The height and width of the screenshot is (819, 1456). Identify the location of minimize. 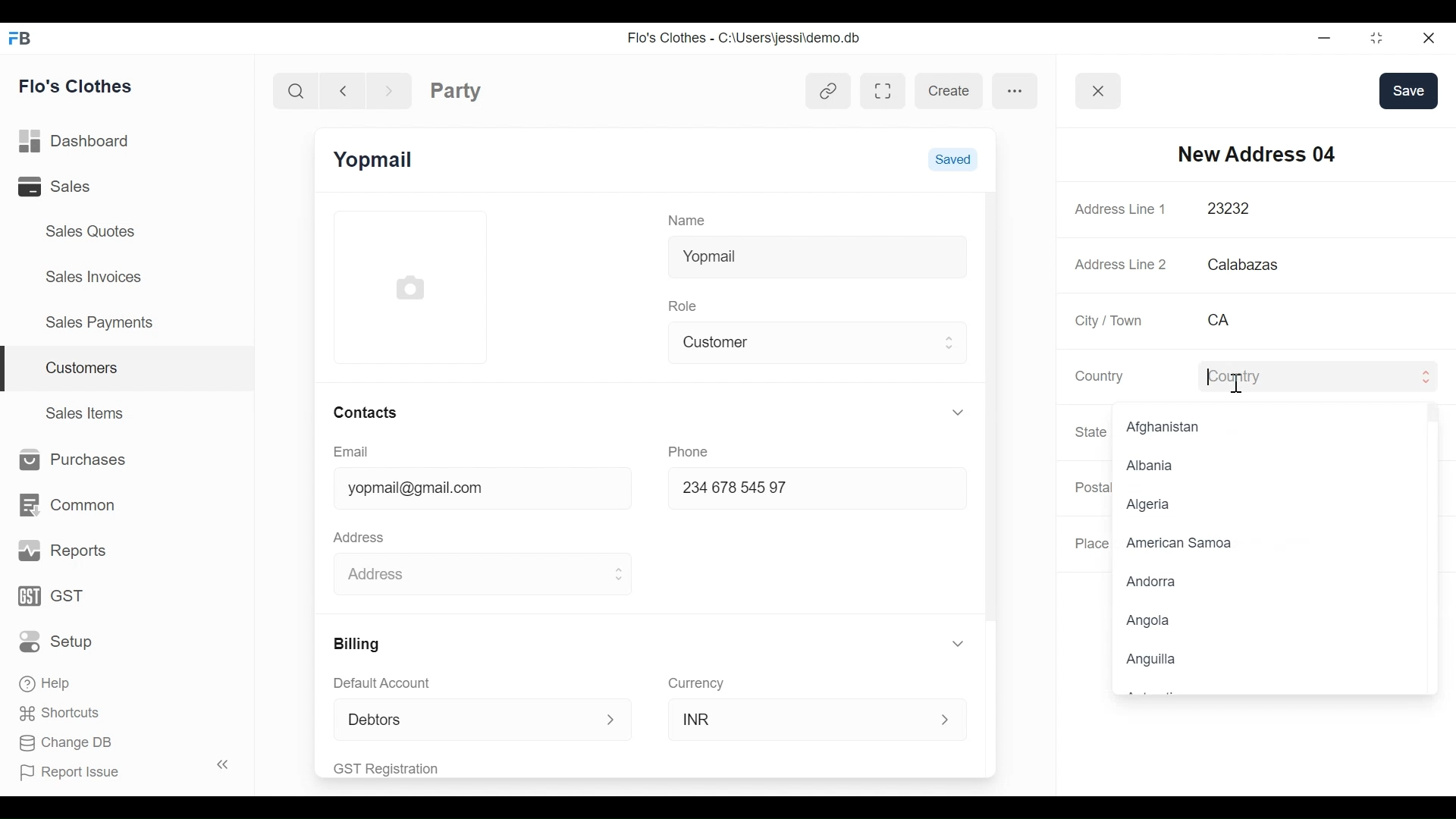
(1323, 37).